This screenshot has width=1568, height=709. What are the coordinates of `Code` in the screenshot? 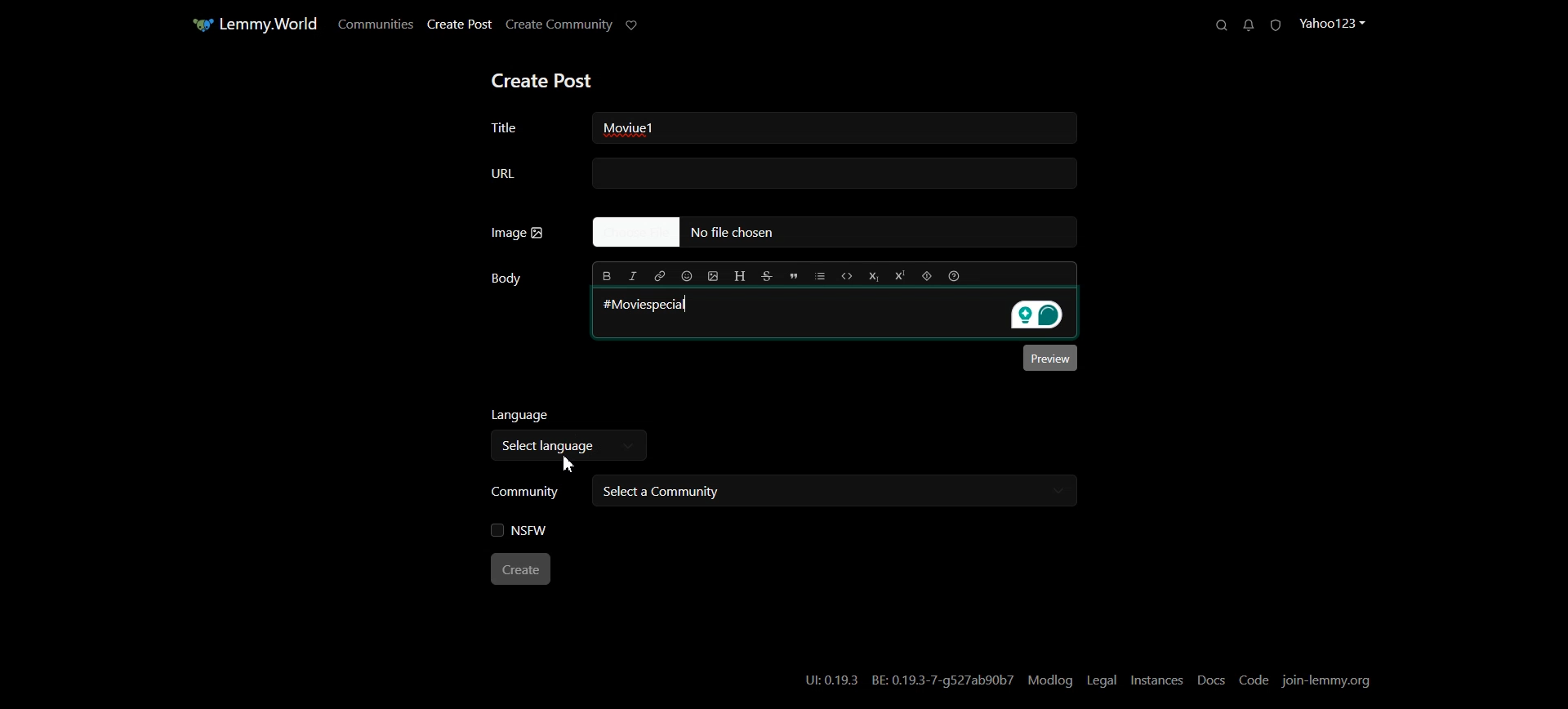 It's located at (848, 275).